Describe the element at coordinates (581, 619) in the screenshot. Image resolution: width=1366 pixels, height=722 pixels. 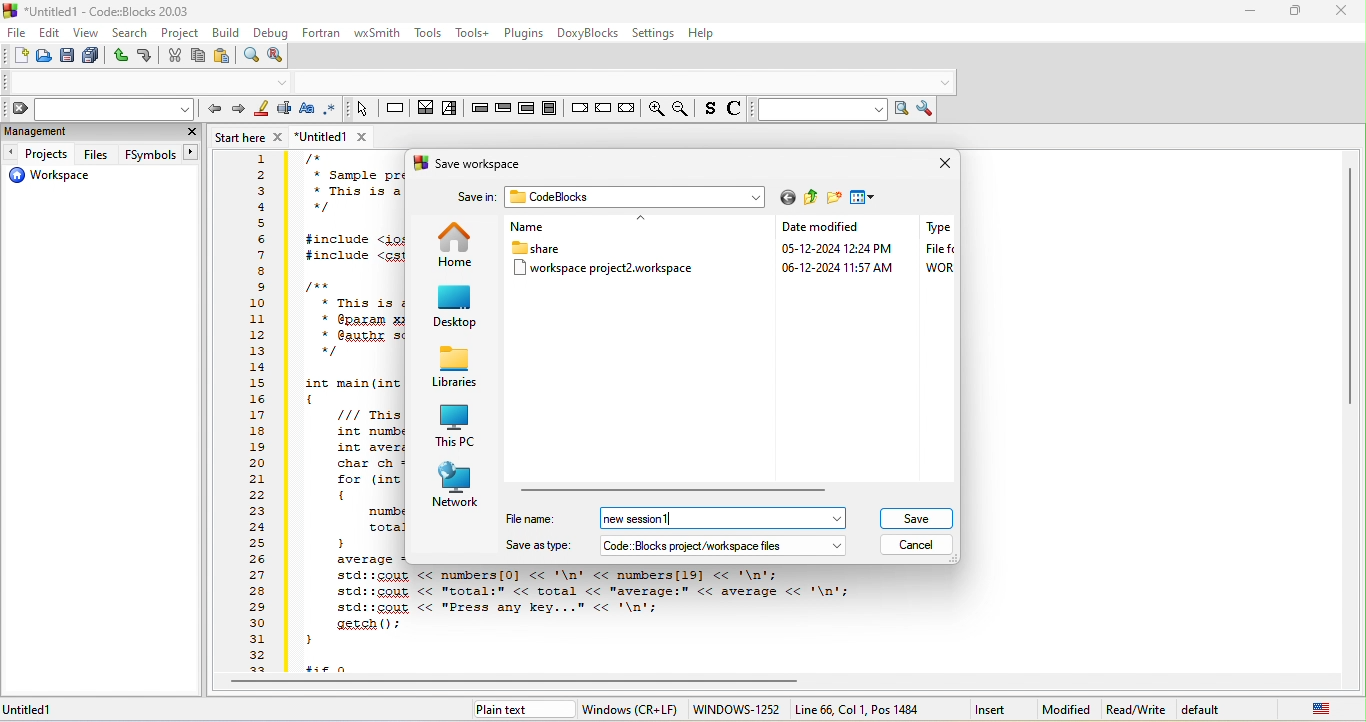
I see `code` at that location.